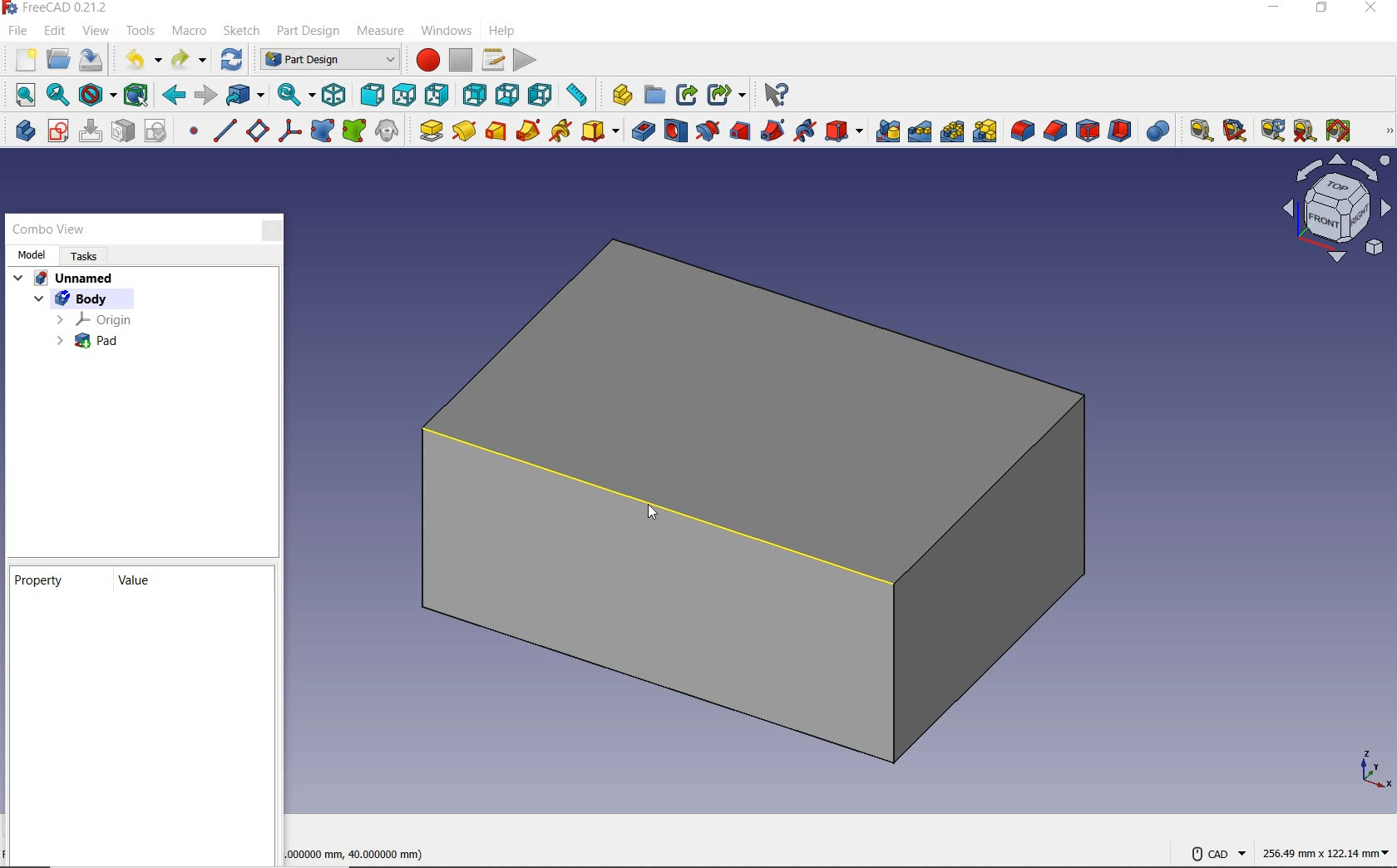 The image size is (1397, 868). Describe the element at coordinates (657, 510) in the screenshot. I see `Cursor` at that location.